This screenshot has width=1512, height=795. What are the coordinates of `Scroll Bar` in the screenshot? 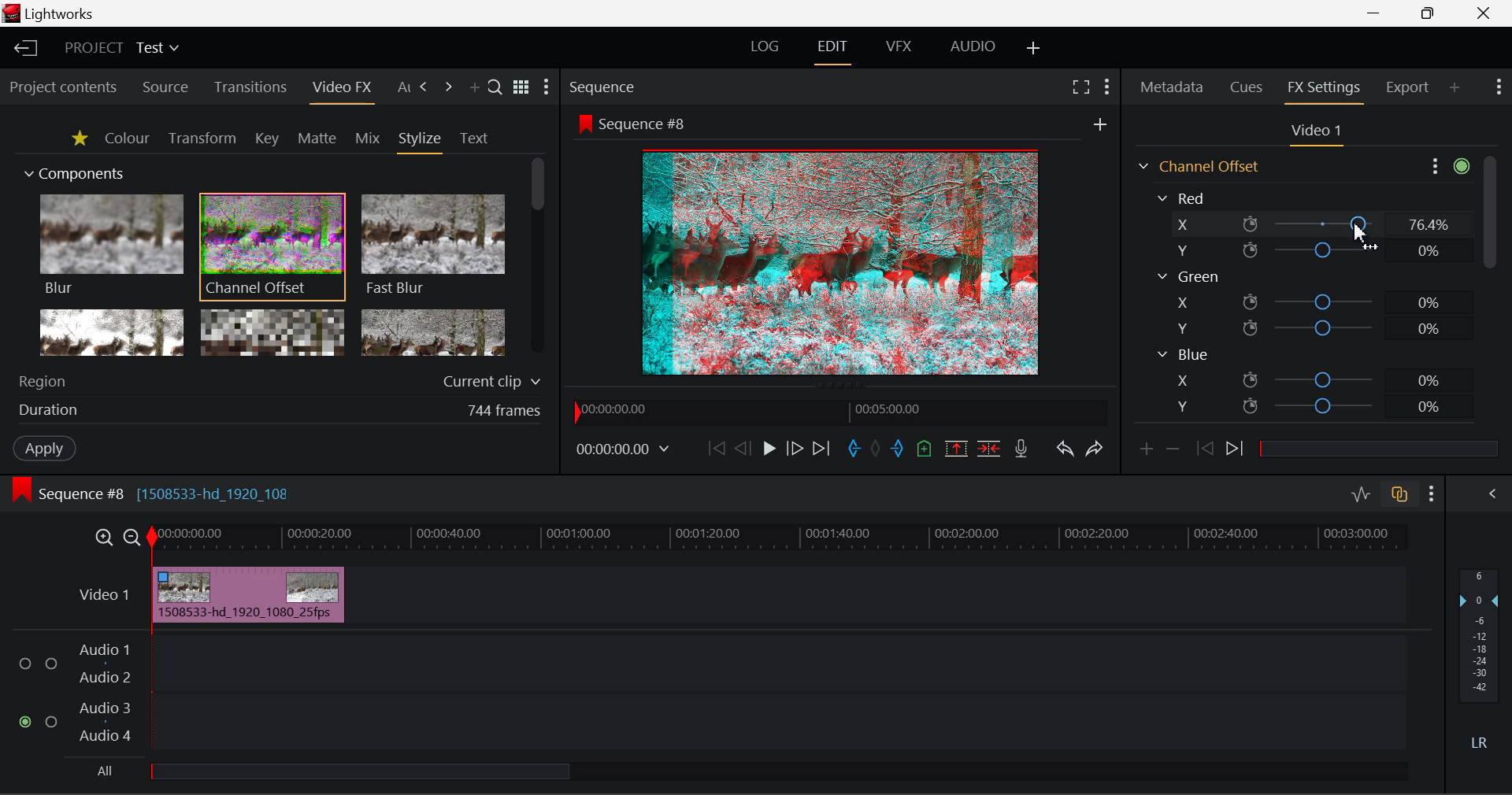 It's located at (1489, 294).